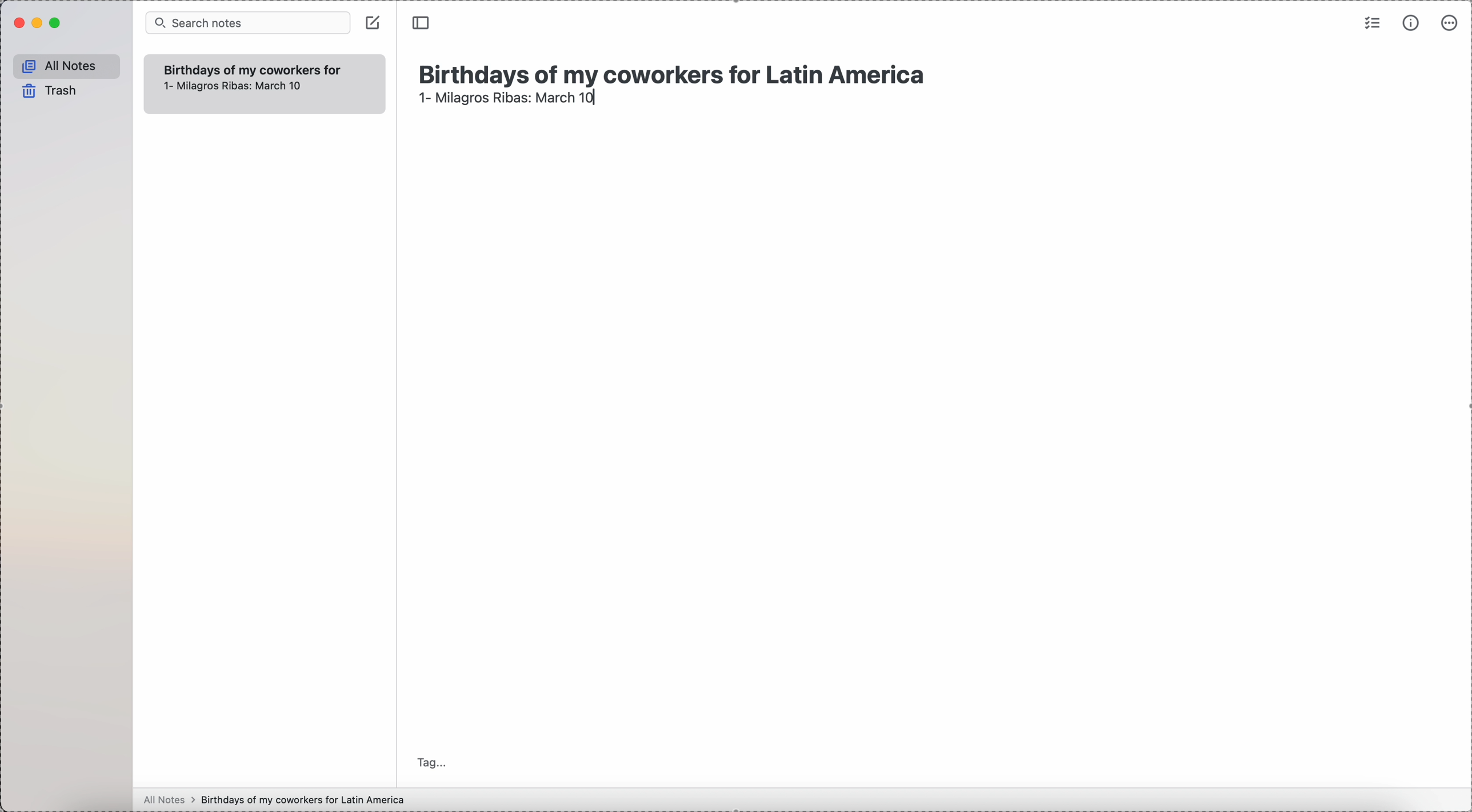 Image resolution: width=1472 pixels, height=812 pixels. I want to click on Birthdays of my coworkers for Latin America, so click(677, 70).